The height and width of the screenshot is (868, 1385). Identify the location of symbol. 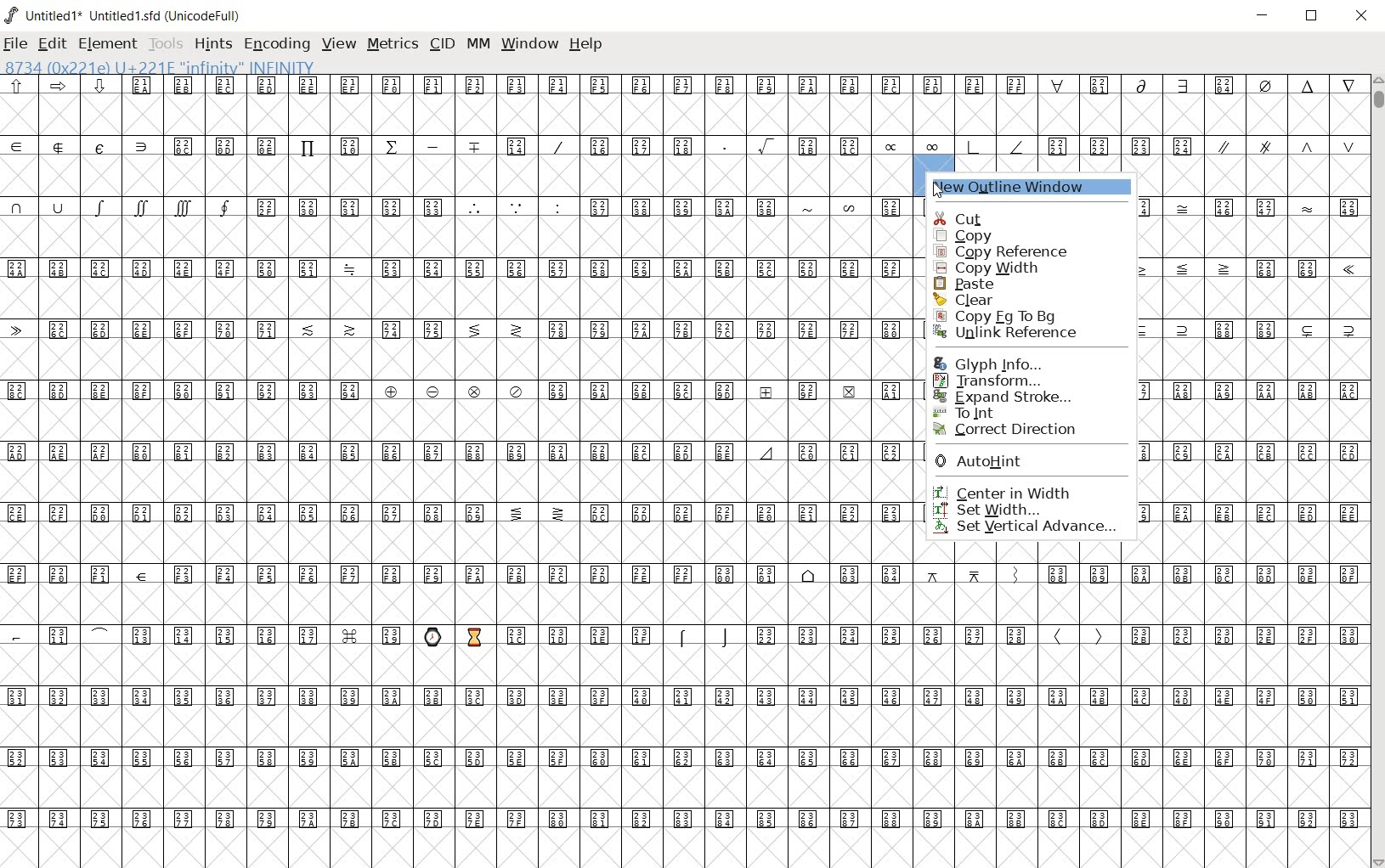
(1183, 207).